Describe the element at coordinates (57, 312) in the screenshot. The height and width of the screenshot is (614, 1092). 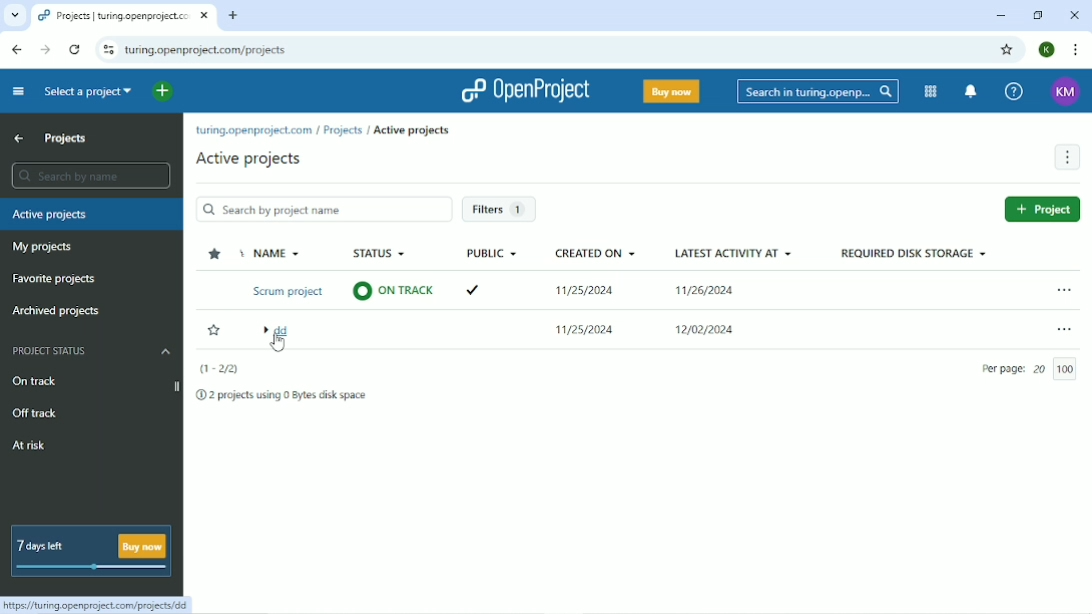
I see `Archived projects` at that location.